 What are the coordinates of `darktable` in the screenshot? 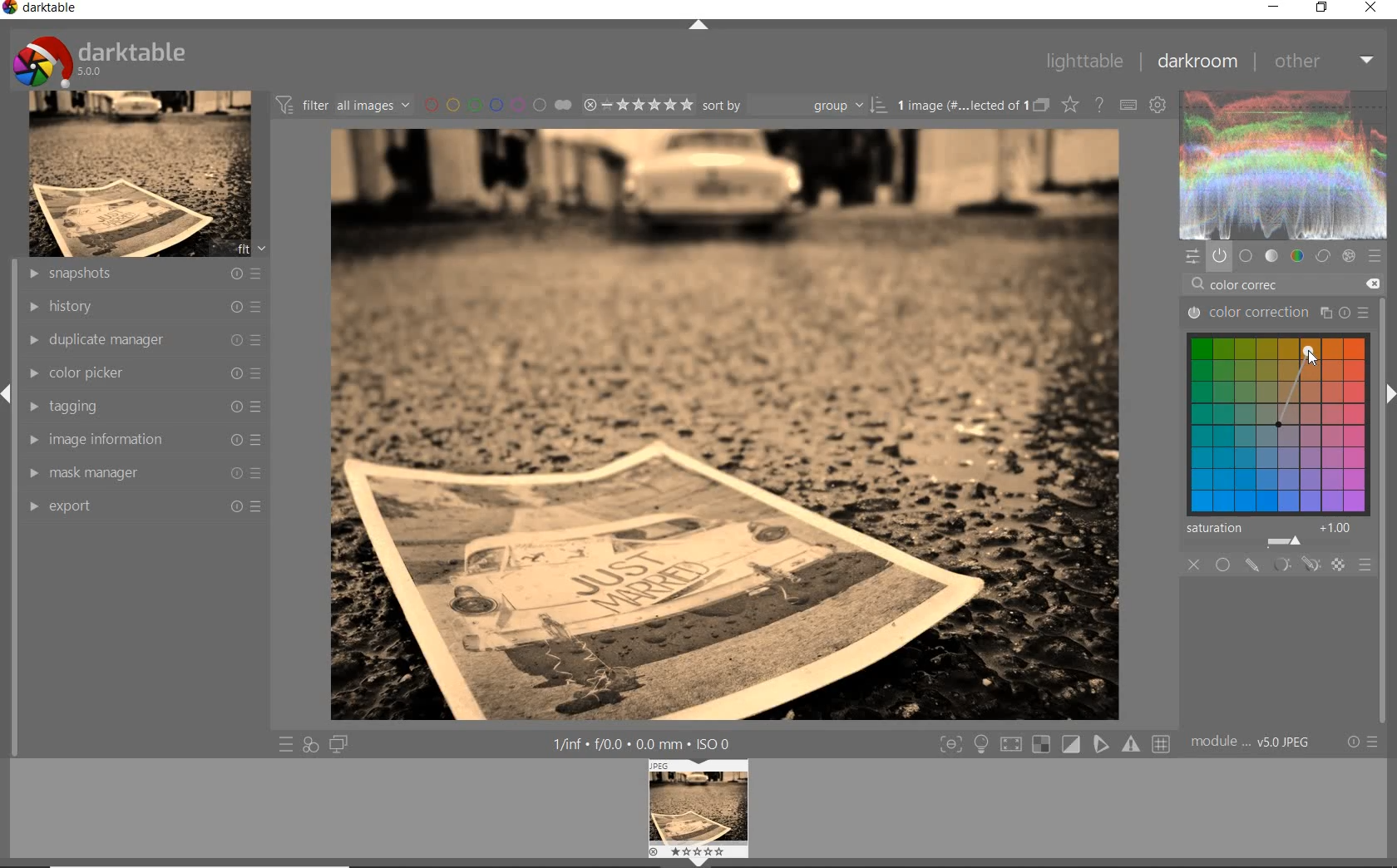 It's located at (43, 8).